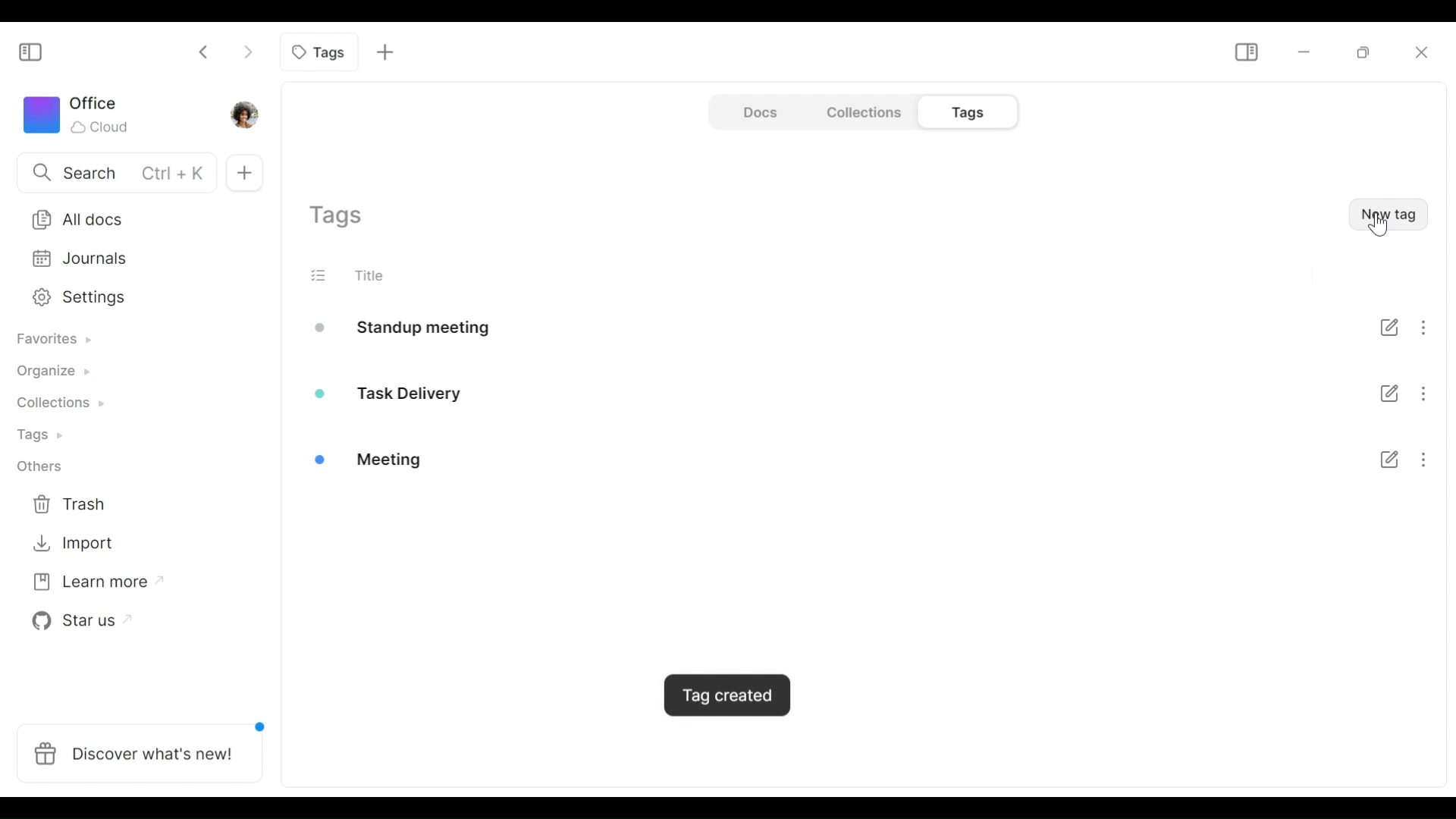 Image resolution: width=1456 pixels, height=819 pixels. I want to click on All documents, so click(135, 220).